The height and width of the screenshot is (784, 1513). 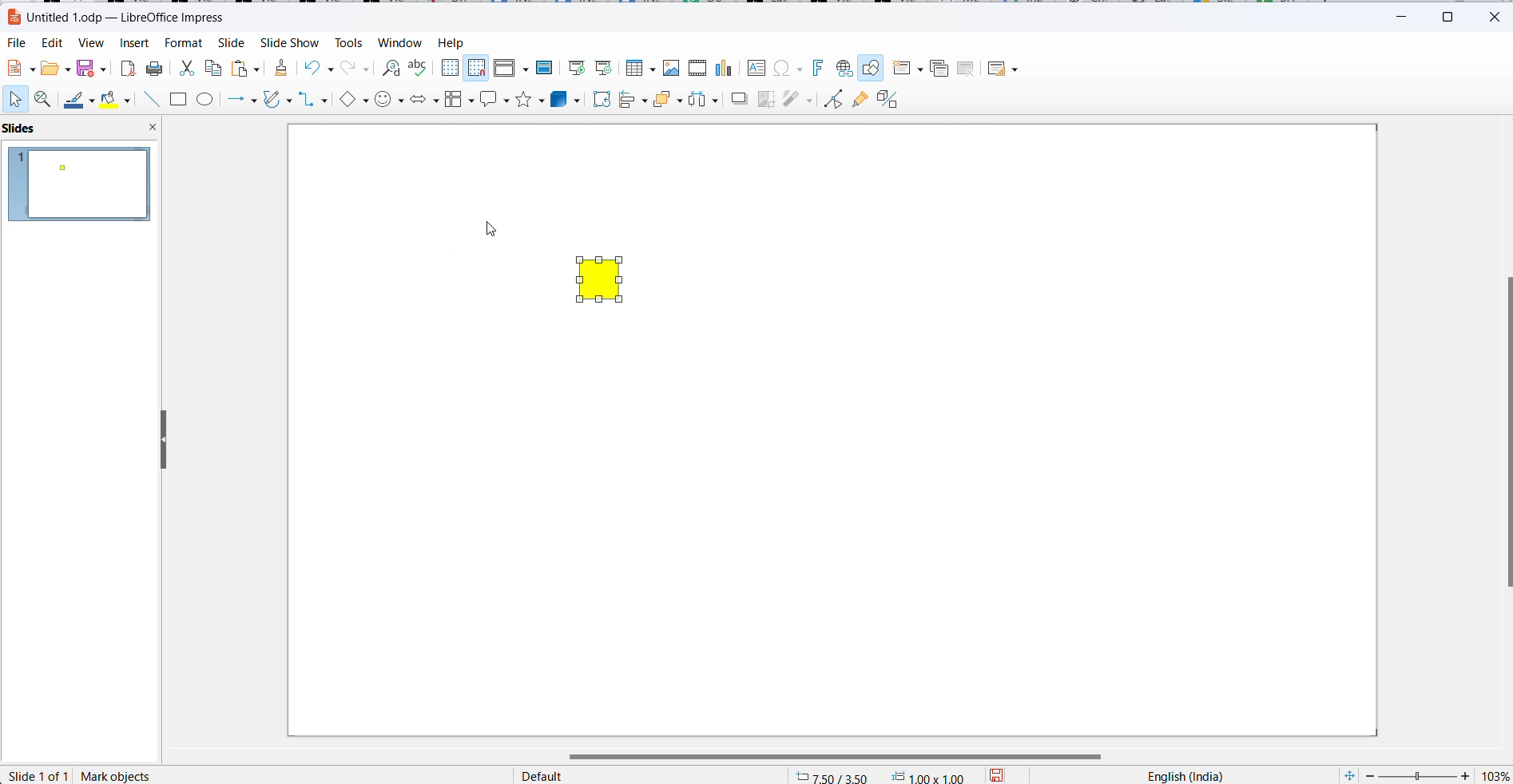 I want to click on Insert charts, so click(x=727, y=69).